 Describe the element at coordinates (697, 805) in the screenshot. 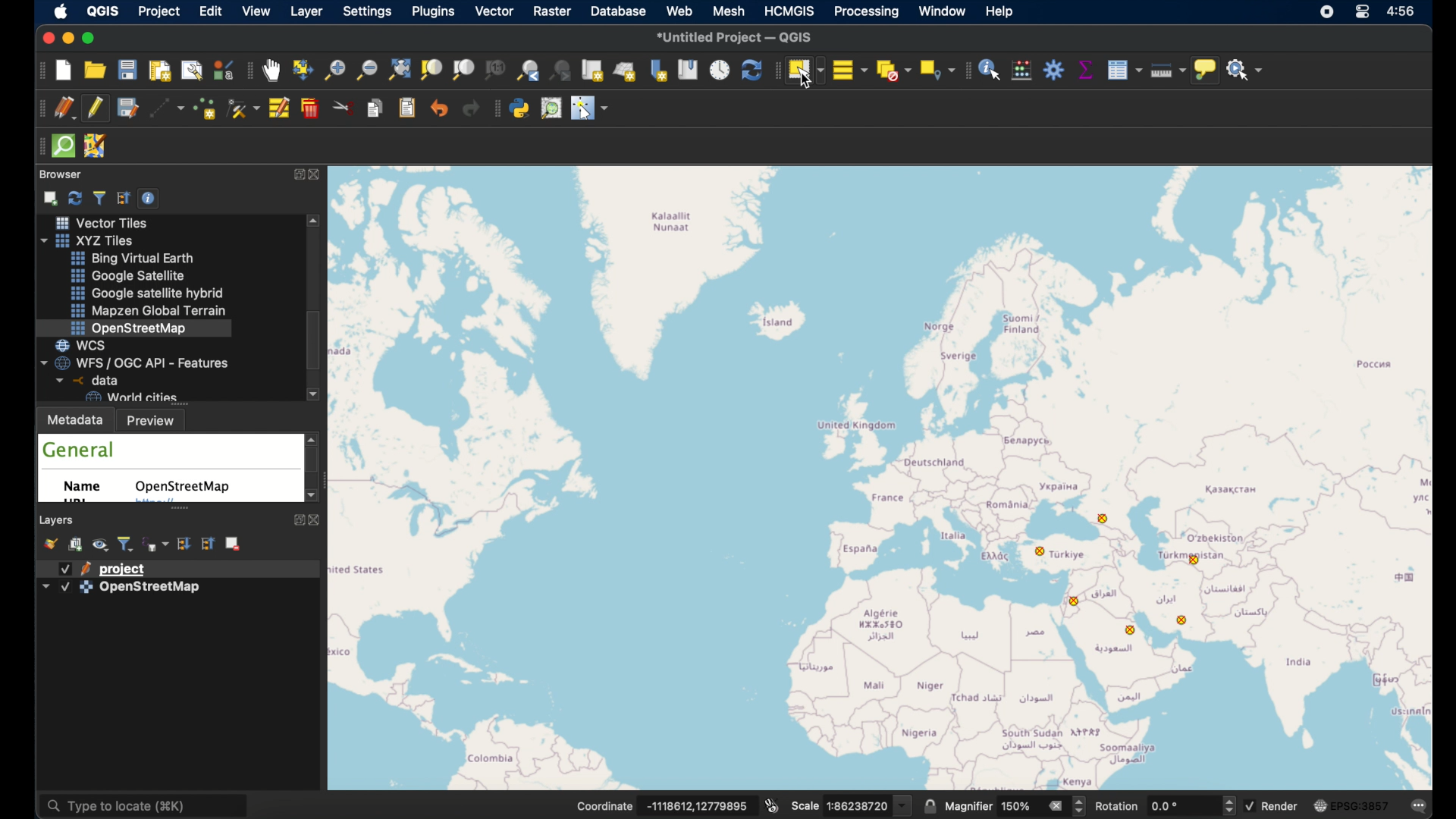

I see `coordinate` at that location.